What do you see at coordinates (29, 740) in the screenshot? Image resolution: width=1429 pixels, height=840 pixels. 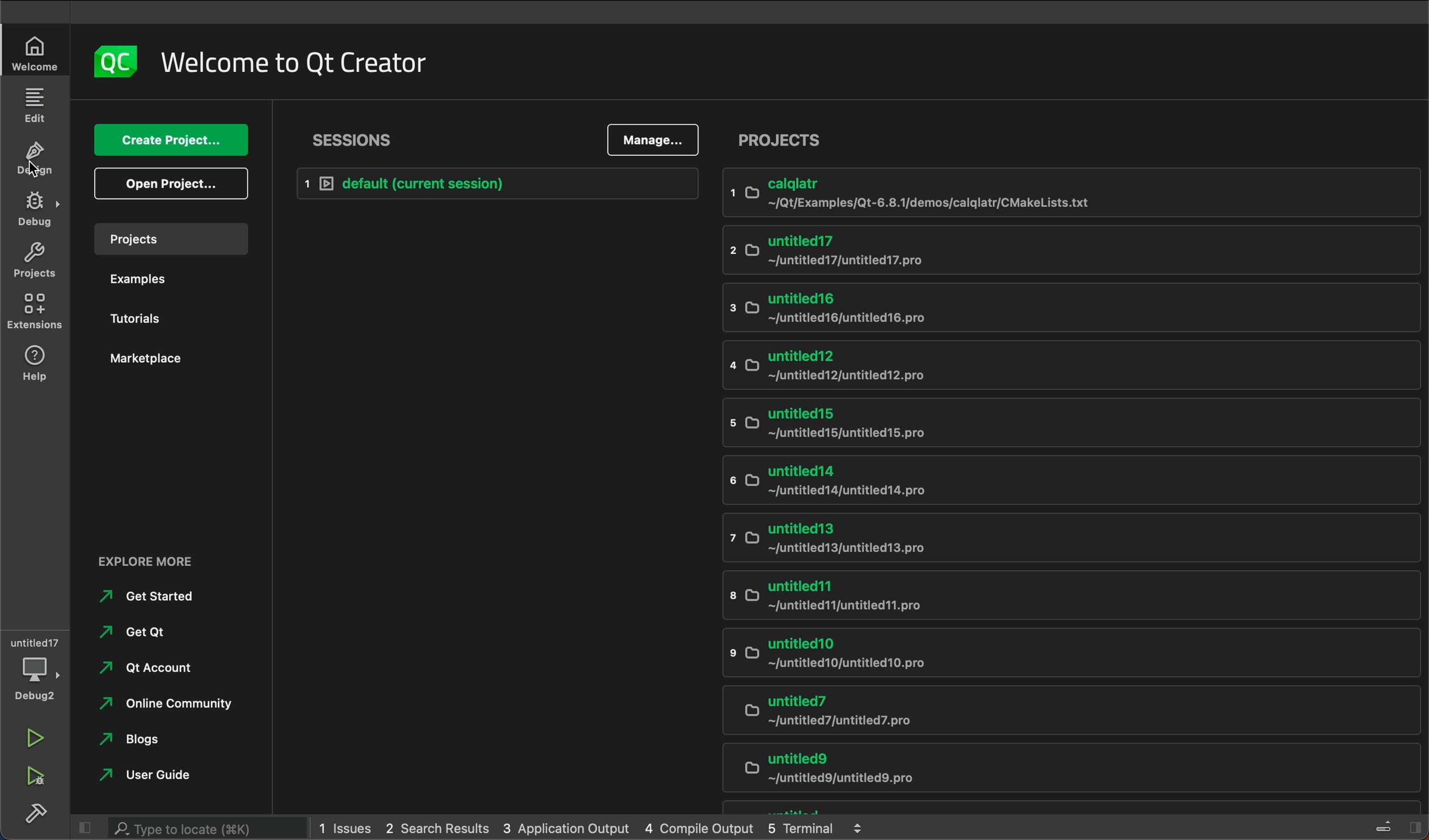 I see `run` at bounding box center [29, 740].